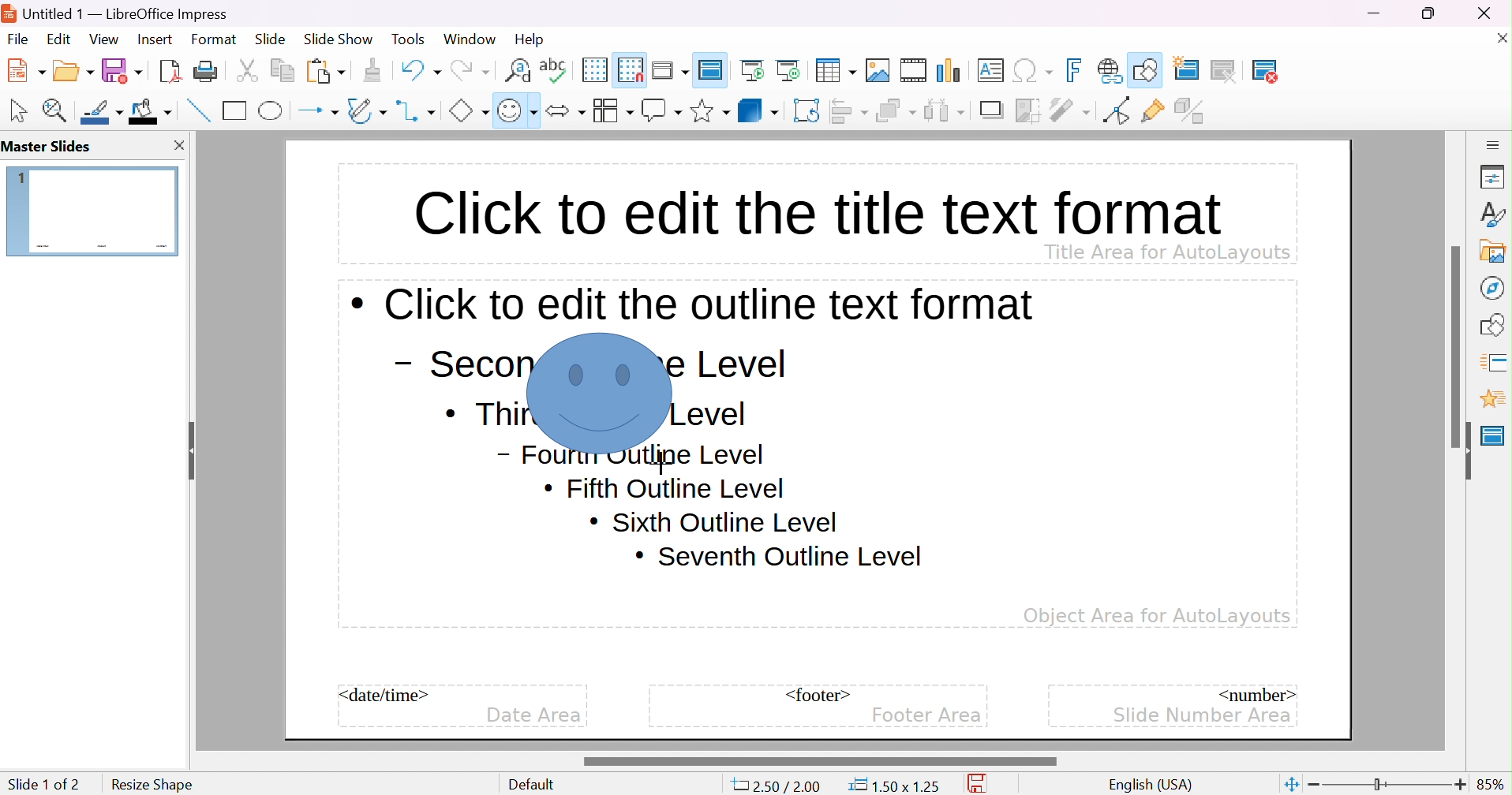  What do you see at coordinates (1203, 714) in the screenshot?
I see `slide number area` at bounding box center [1203, 714].